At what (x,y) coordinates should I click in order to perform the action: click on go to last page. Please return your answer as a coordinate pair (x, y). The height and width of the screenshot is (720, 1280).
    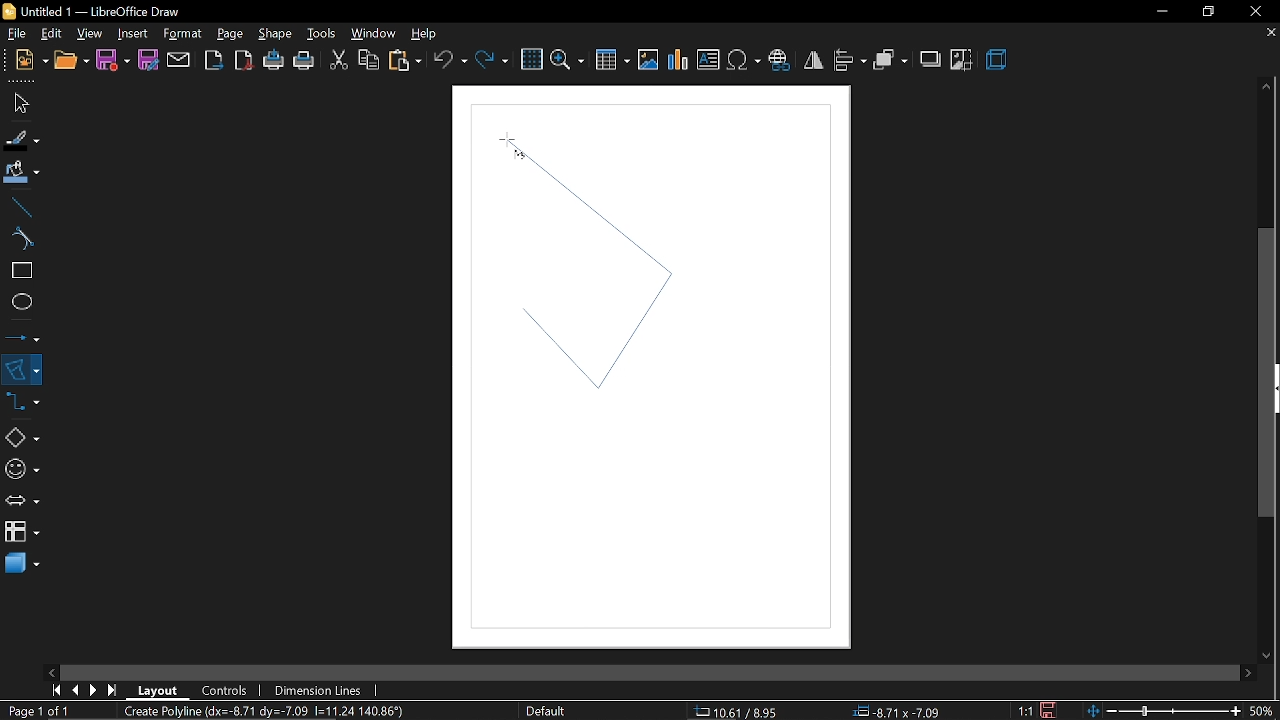
    Looking at the image, I should click on (115, 687).